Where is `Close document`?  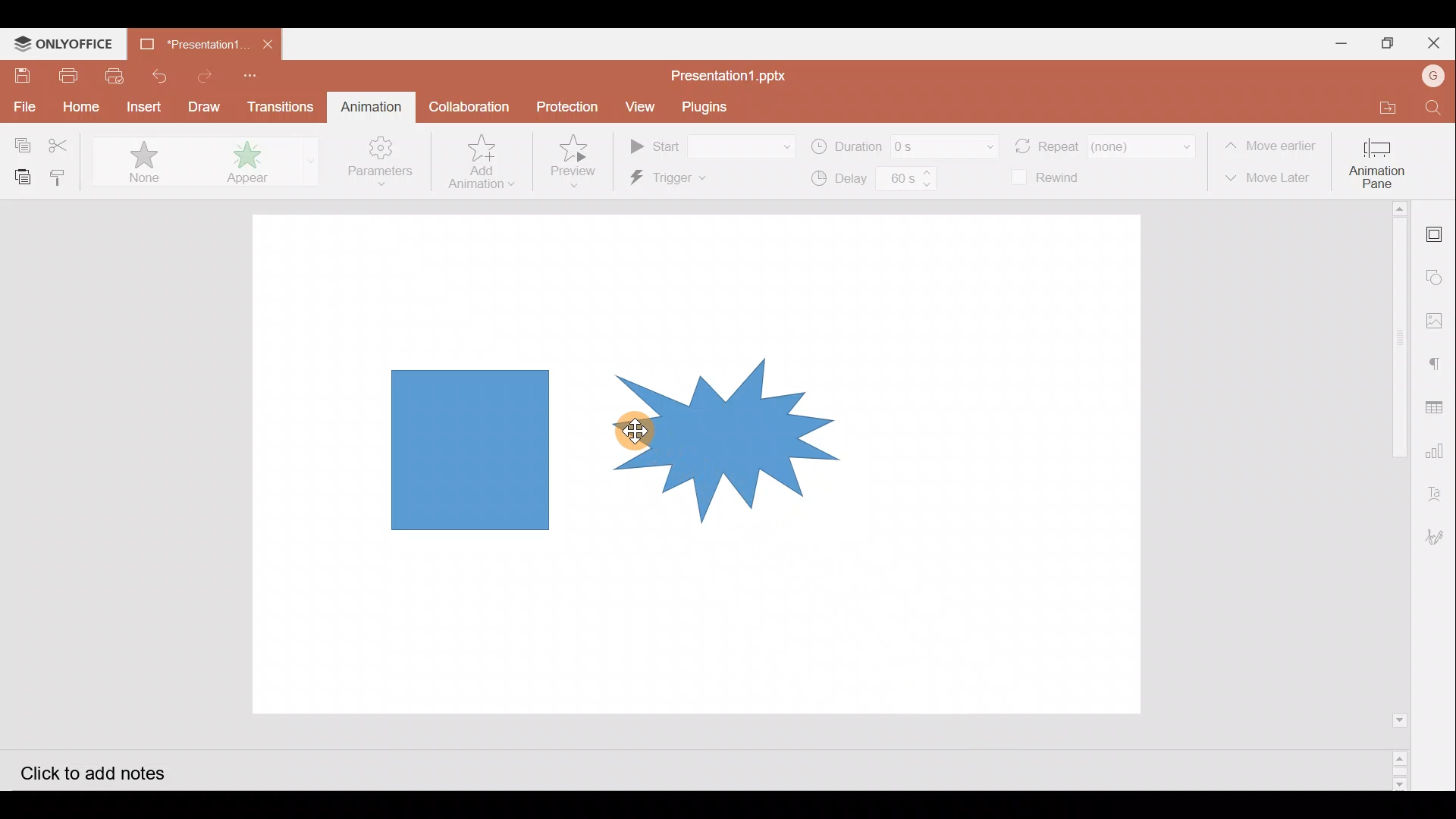 Close document is located at coordinates (273, 42).